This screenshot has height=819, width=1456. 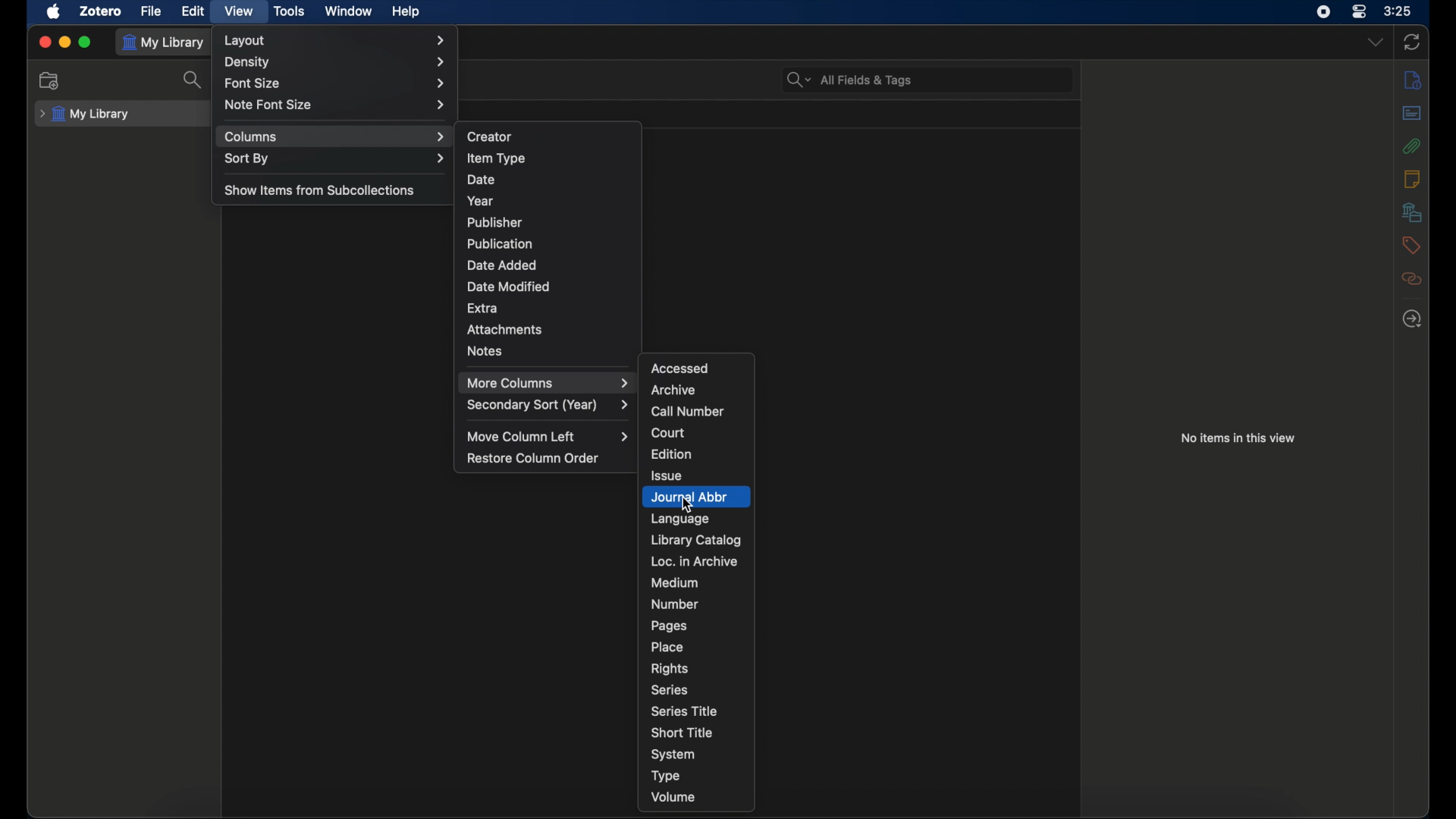 I want to click on extra, so click(x=483, y=309).